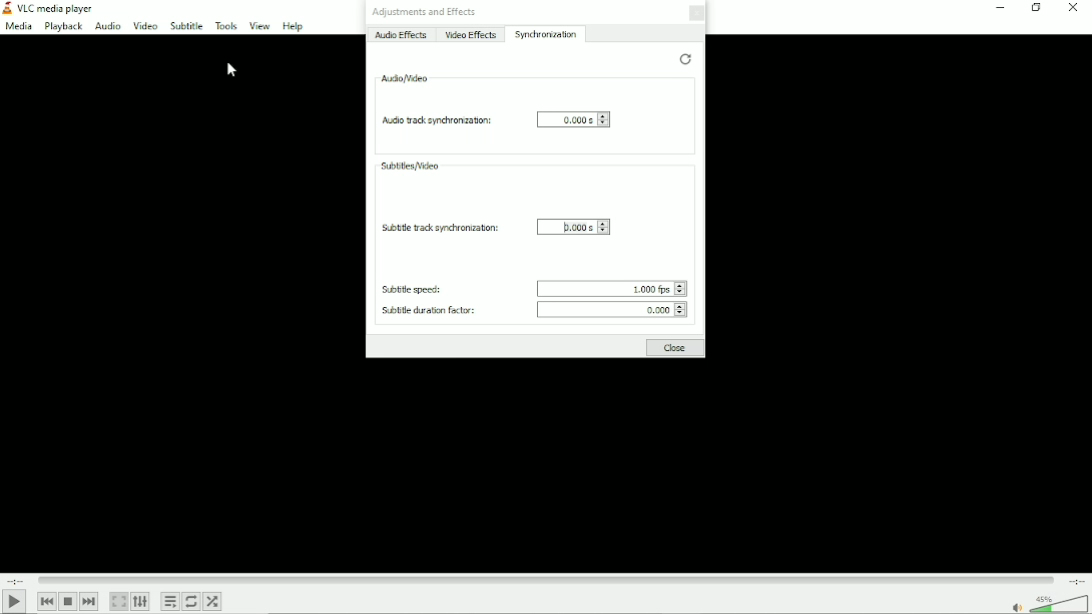 The image size is (1092, 614). What do you see at coordinates (400, 36) in the screenshot?
I see `Audio effects` at bounding box center [400, 36].